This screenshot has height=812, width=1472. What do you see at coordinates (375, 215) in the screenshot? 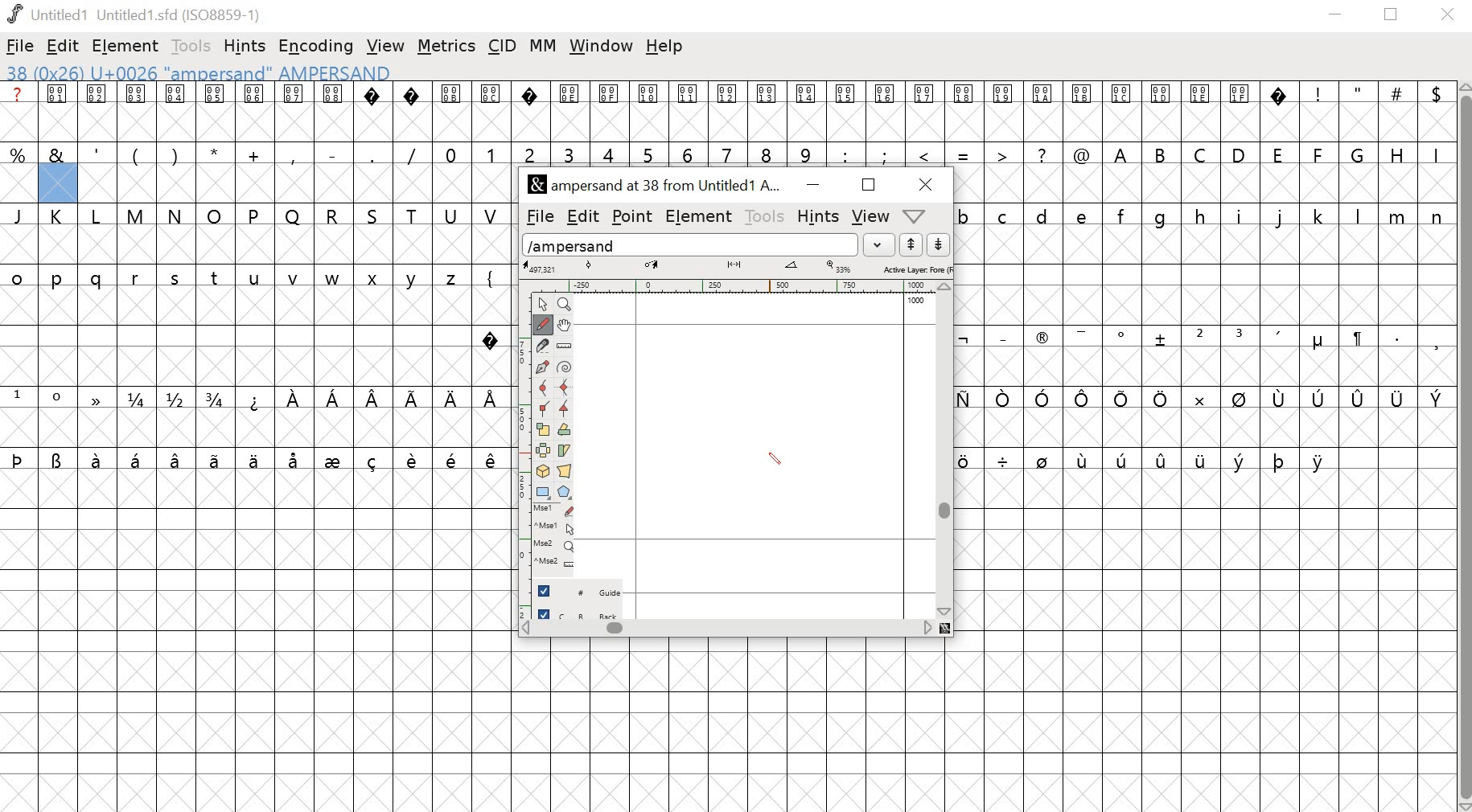
I see `S` at bounding box center [375, 215].